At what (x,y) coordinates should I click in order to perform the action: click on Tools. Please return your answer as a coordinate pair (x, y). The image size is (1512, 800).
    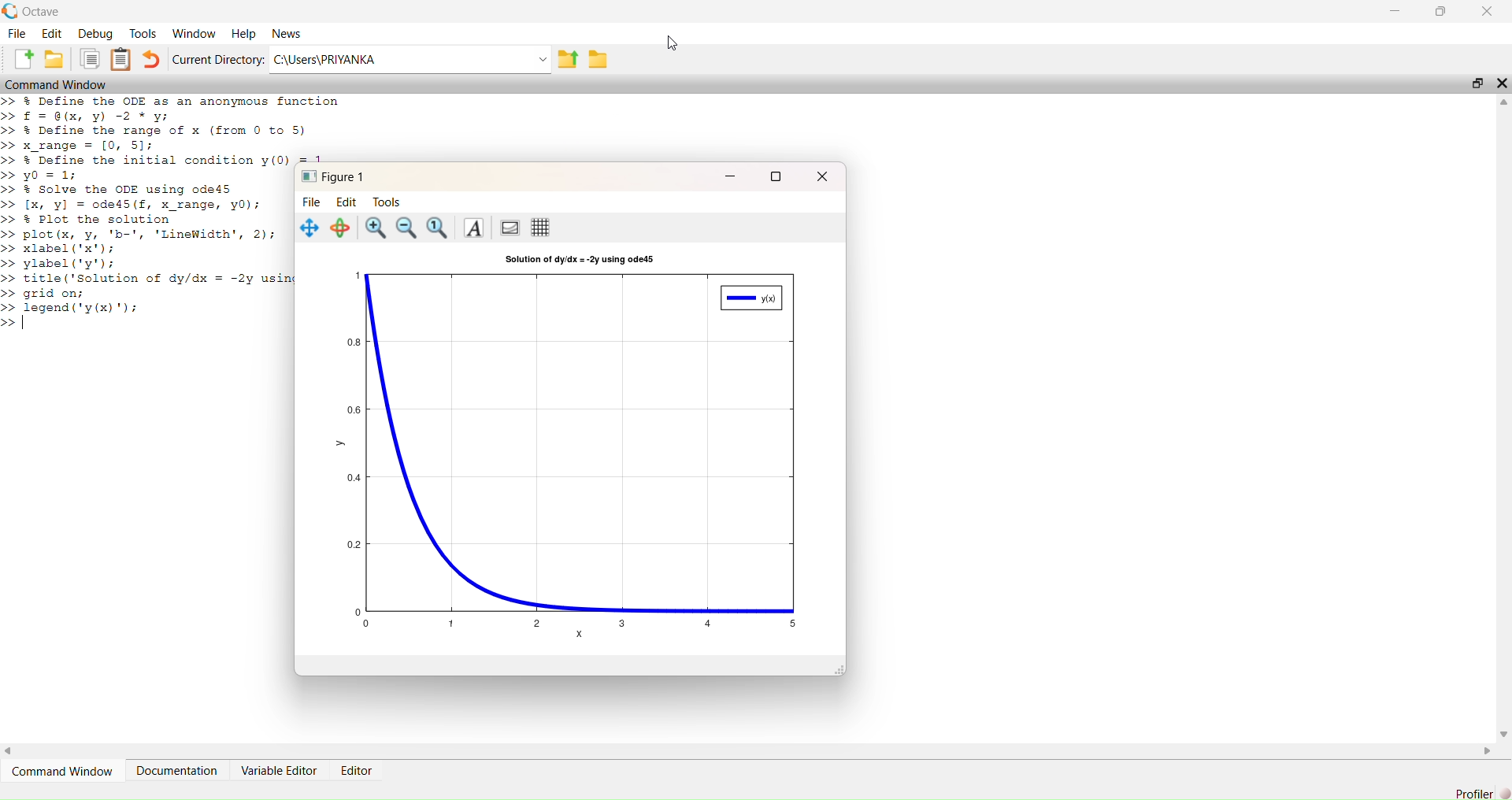
    Looking at the image, I should click on (387, 202).